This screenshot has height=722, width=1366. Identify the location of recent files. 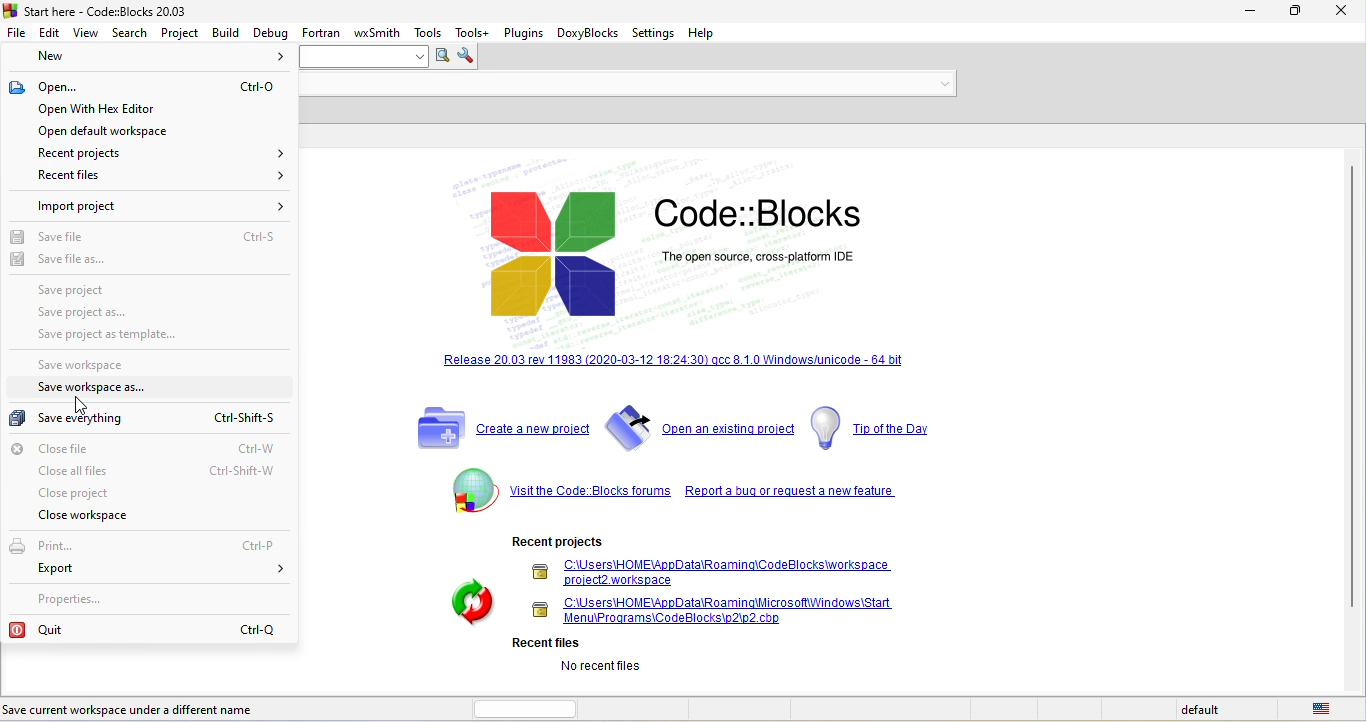
(153, 176).